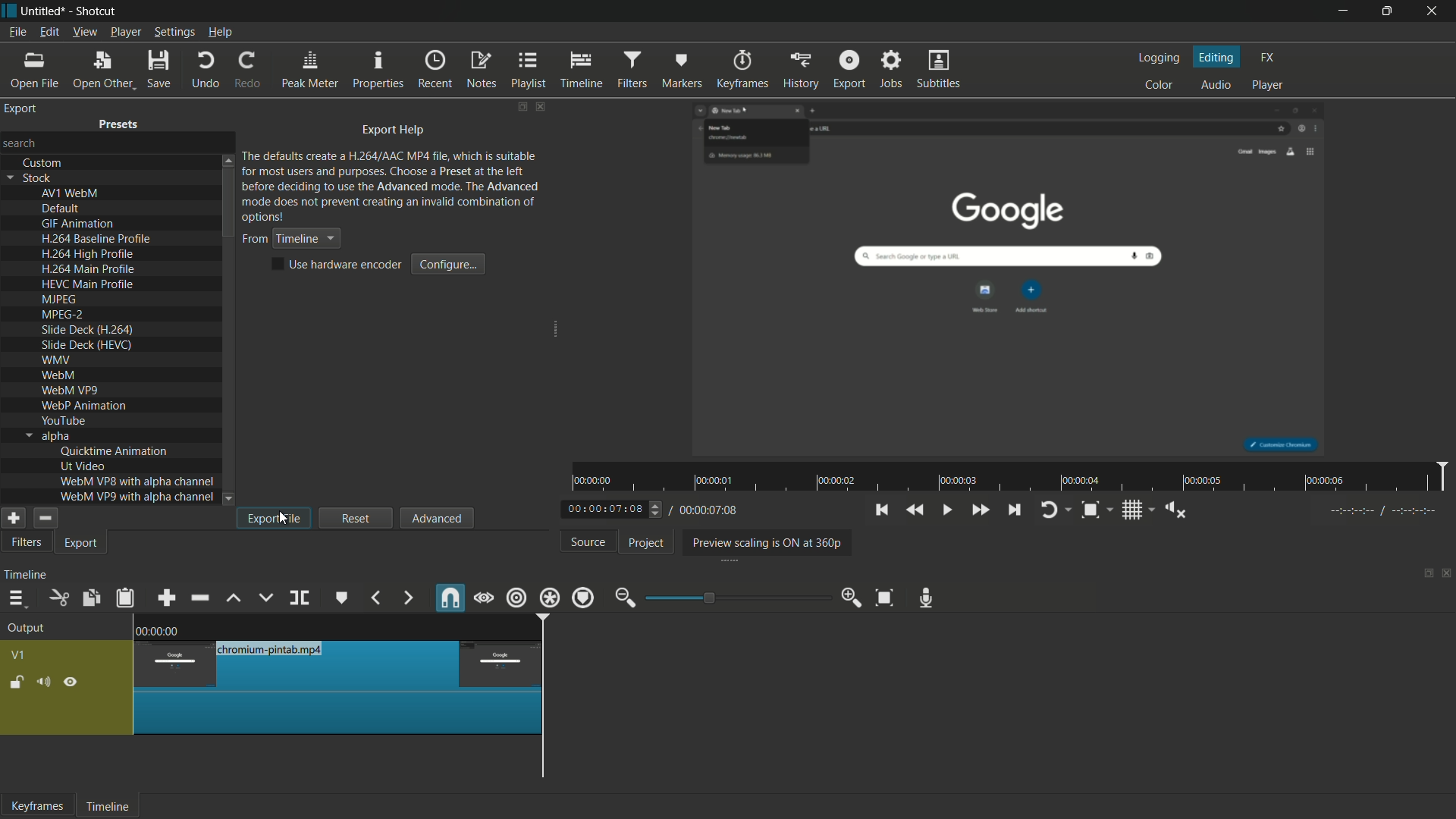 The width and height of the screenshot is (1456, 819). Describe the element at coordinates (1382, 510) in the screenshot. I see `---` at that location.